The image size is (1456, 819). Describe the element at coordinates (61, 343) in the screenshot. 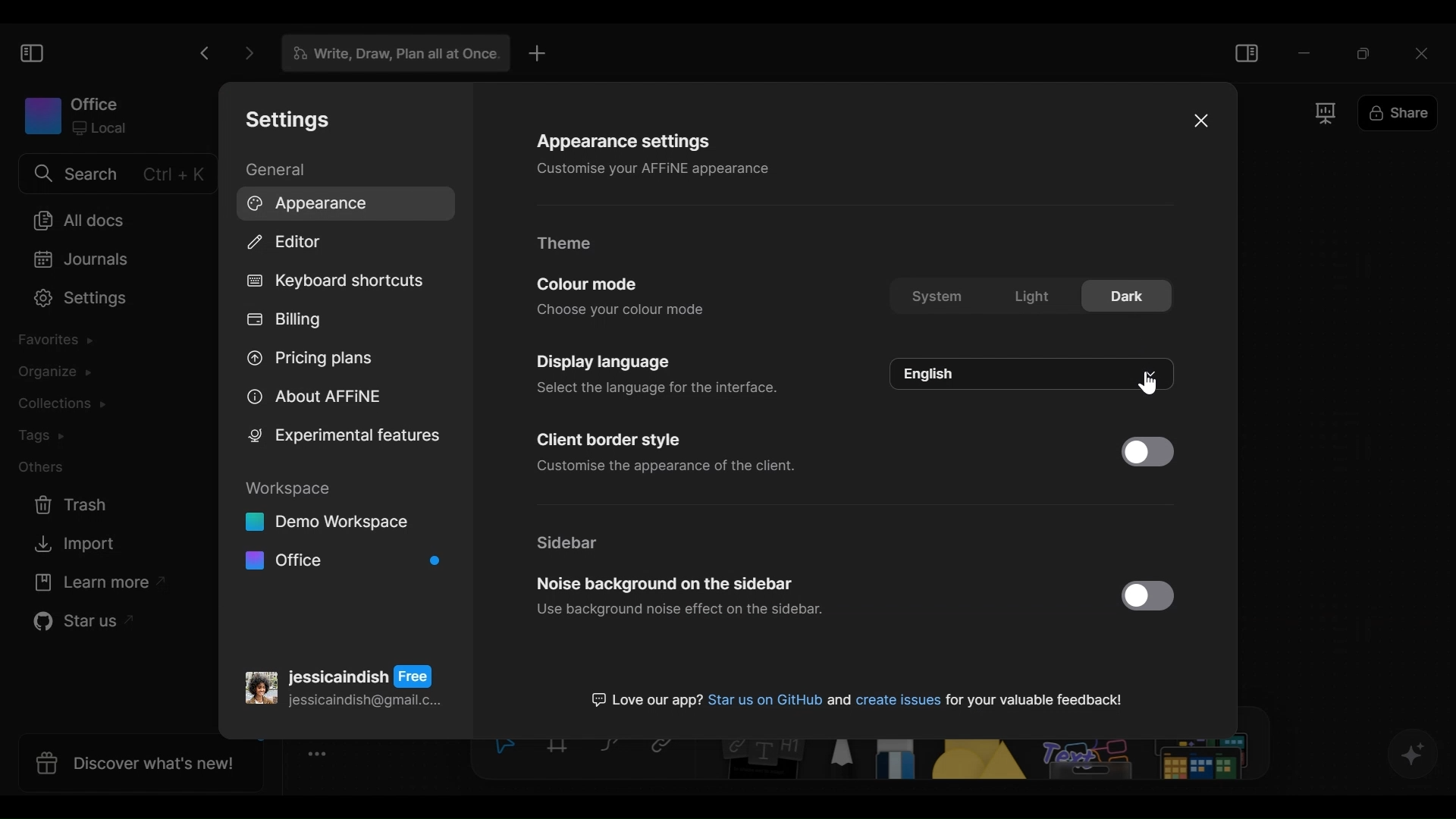

I see `Favorites` at that location.